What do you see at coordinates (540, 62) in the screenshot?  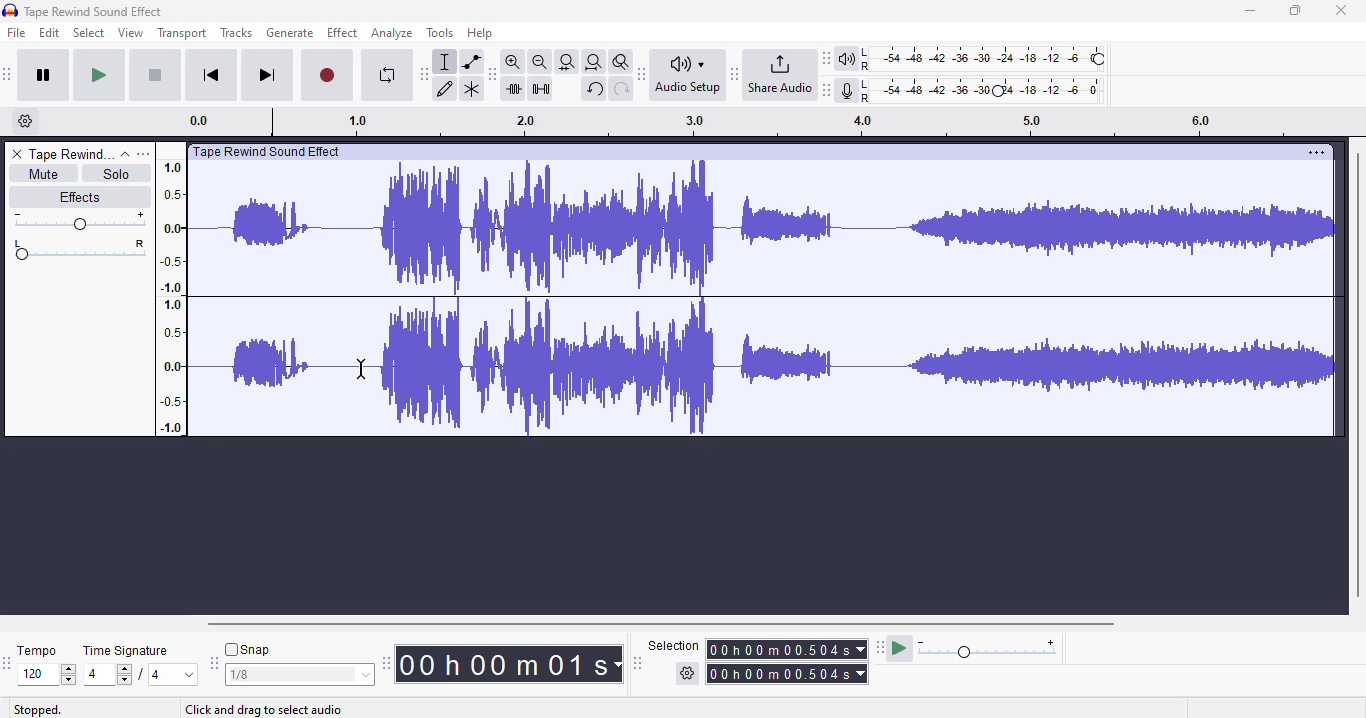 I see `zoom out` at bounding box center [540, 62].